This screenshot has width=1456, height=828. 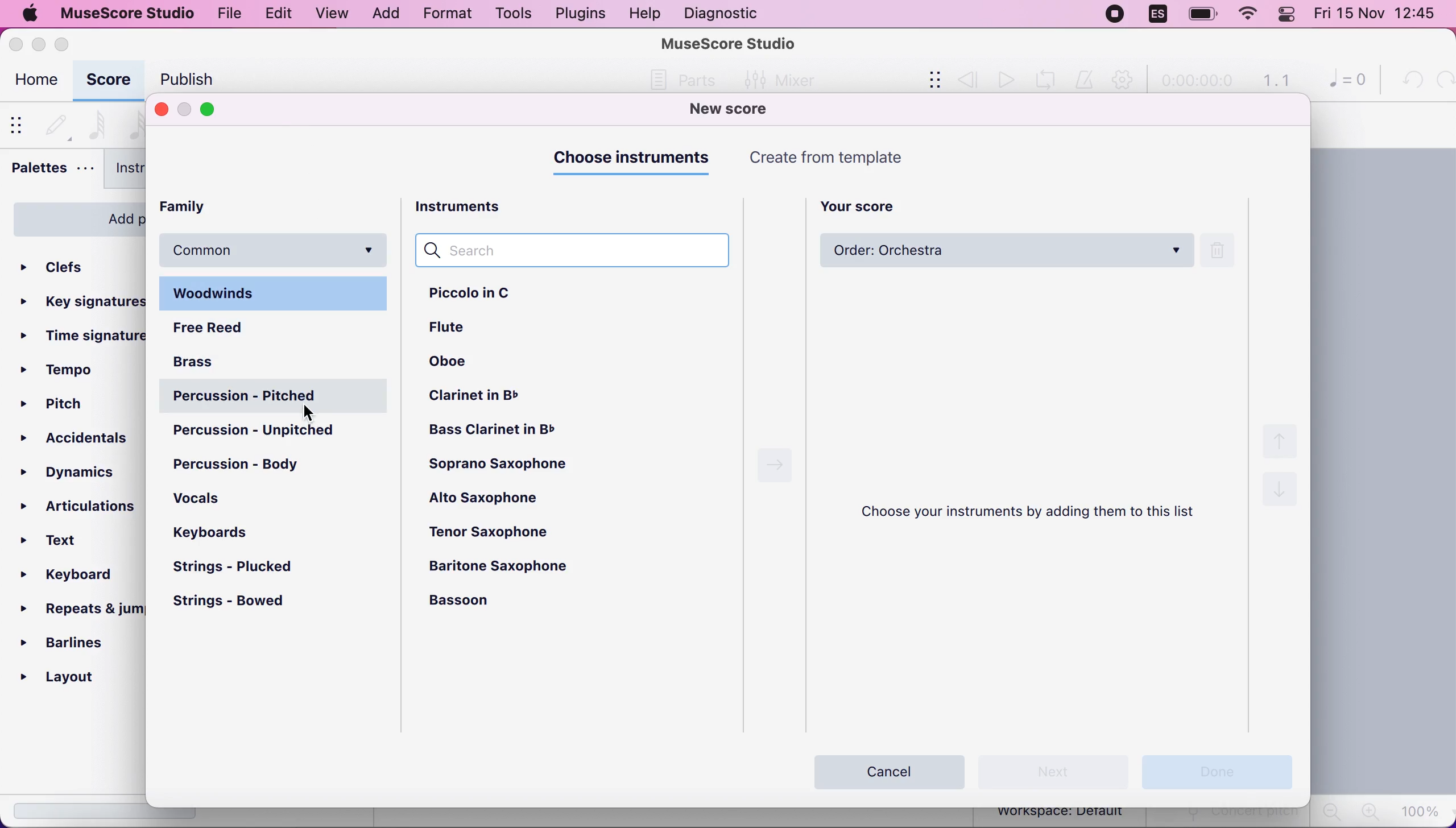 I want to click on maximize, so click(x=216, y=110).